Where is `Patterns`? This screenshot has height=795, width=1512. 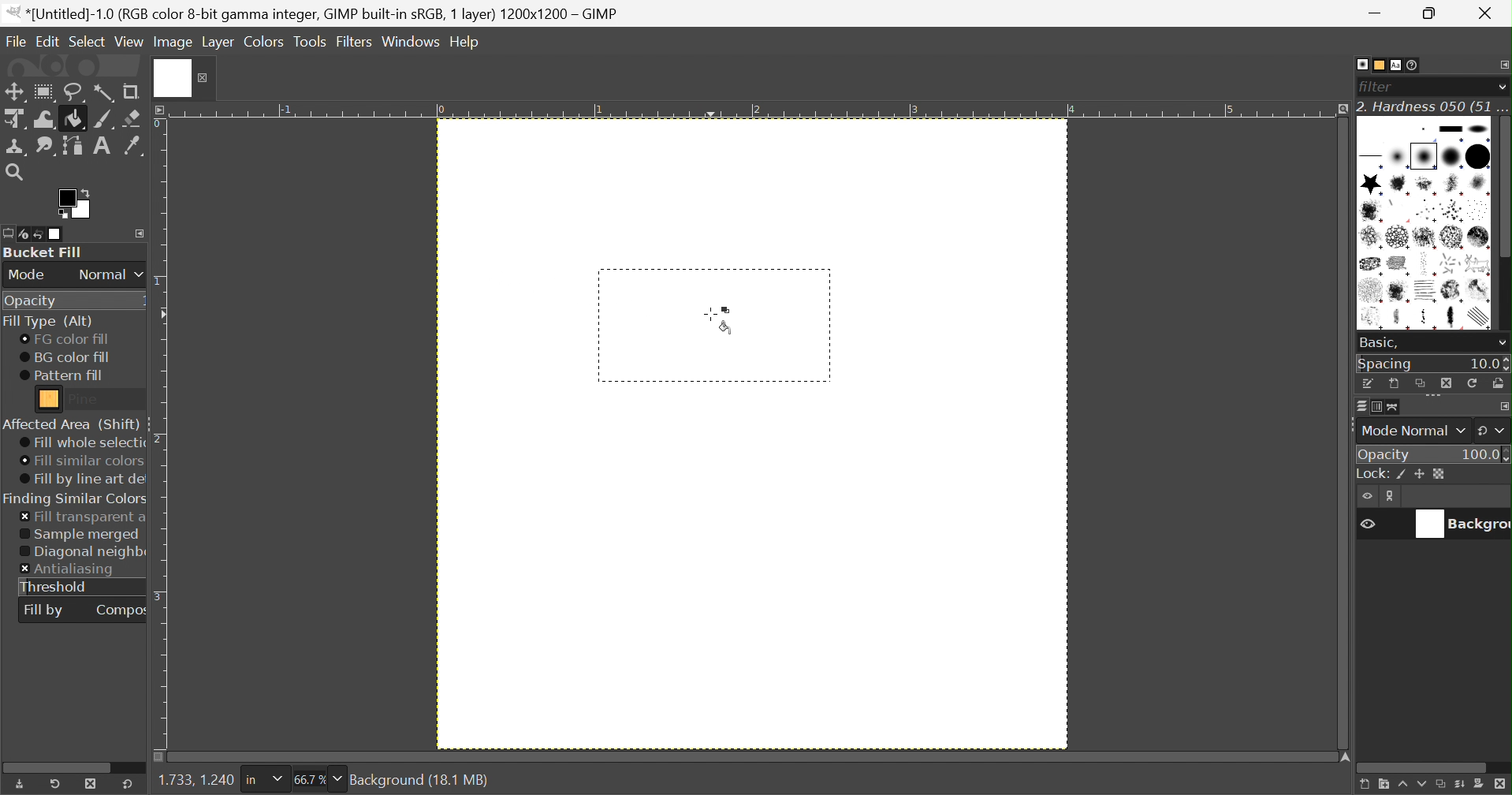
Patterns is located at coordinates (1376, 65).